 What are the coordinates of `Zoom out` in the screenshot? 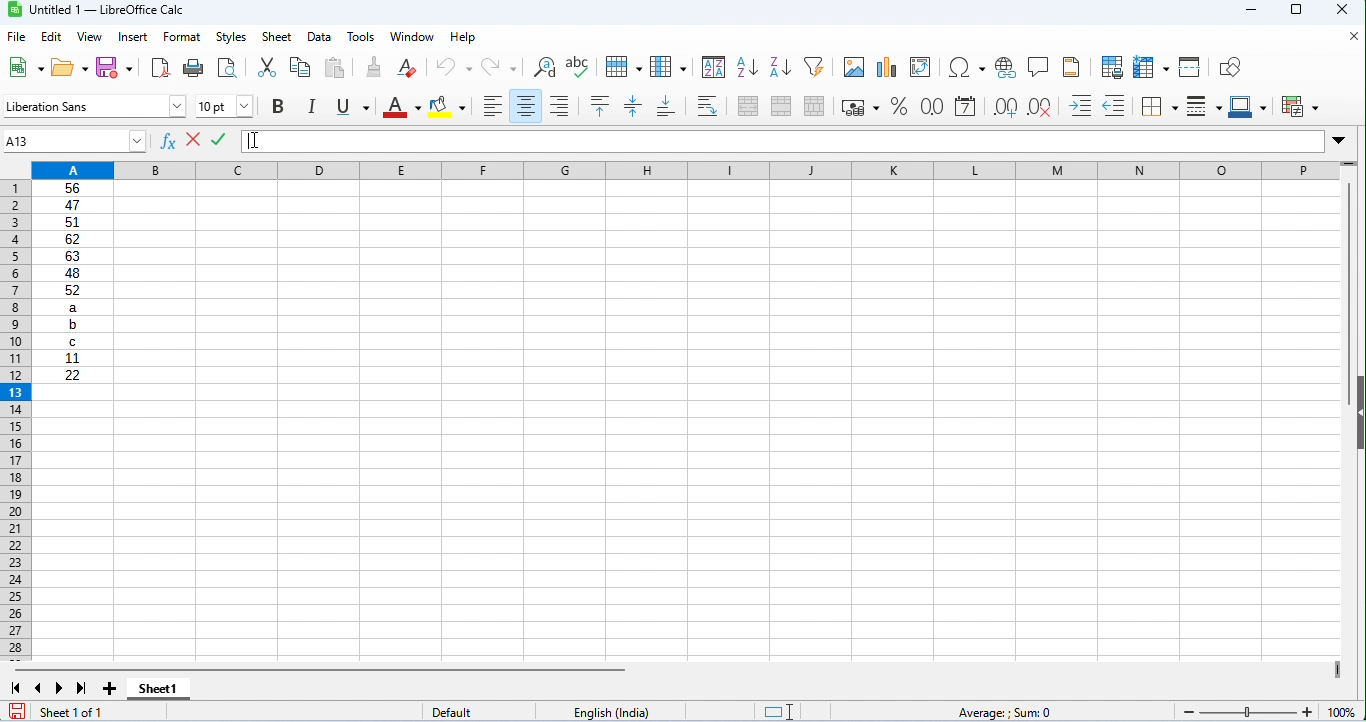 It's located at (1189, 713).